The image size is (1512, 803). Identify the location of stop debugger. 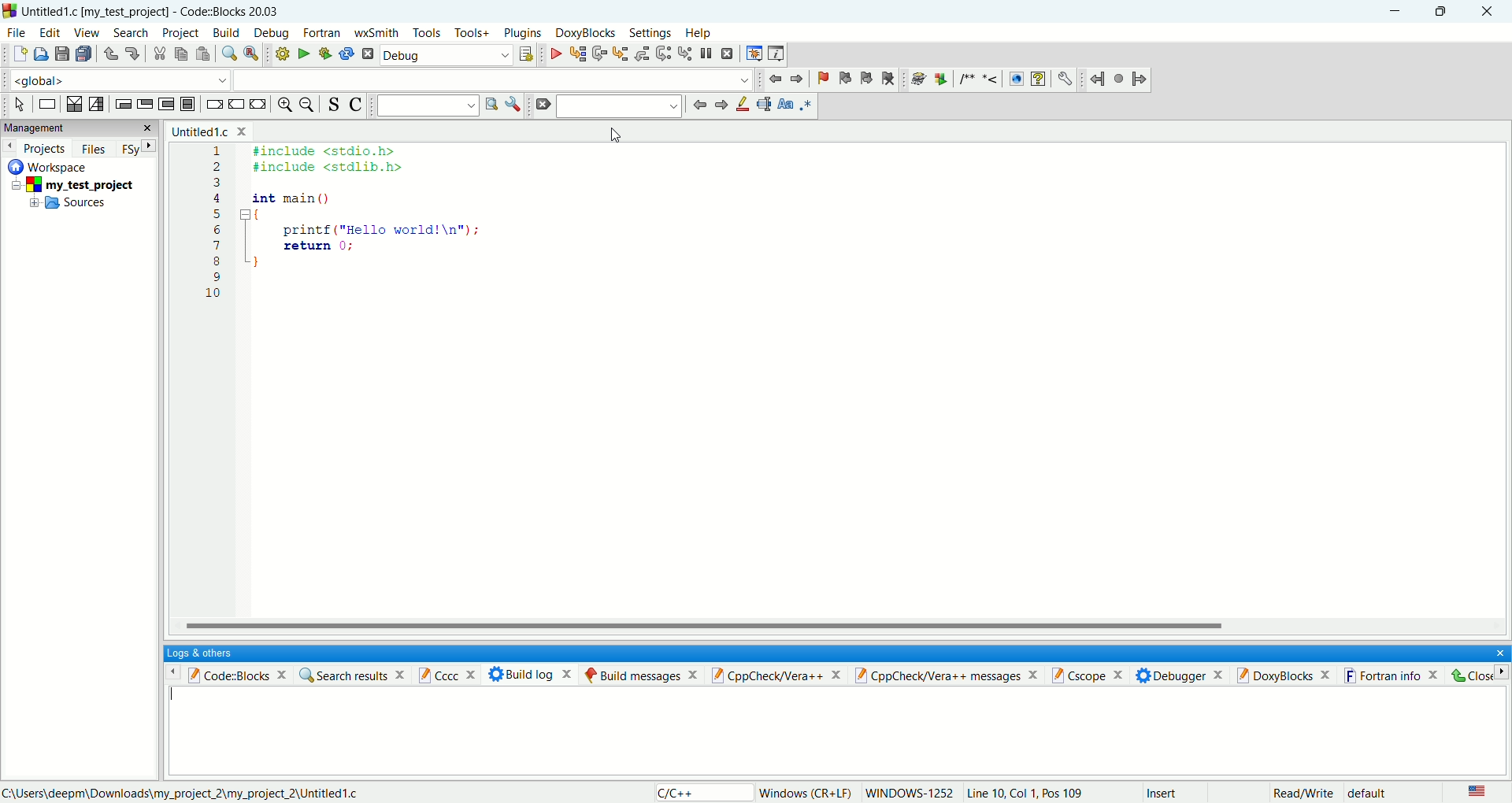
(728, 54).